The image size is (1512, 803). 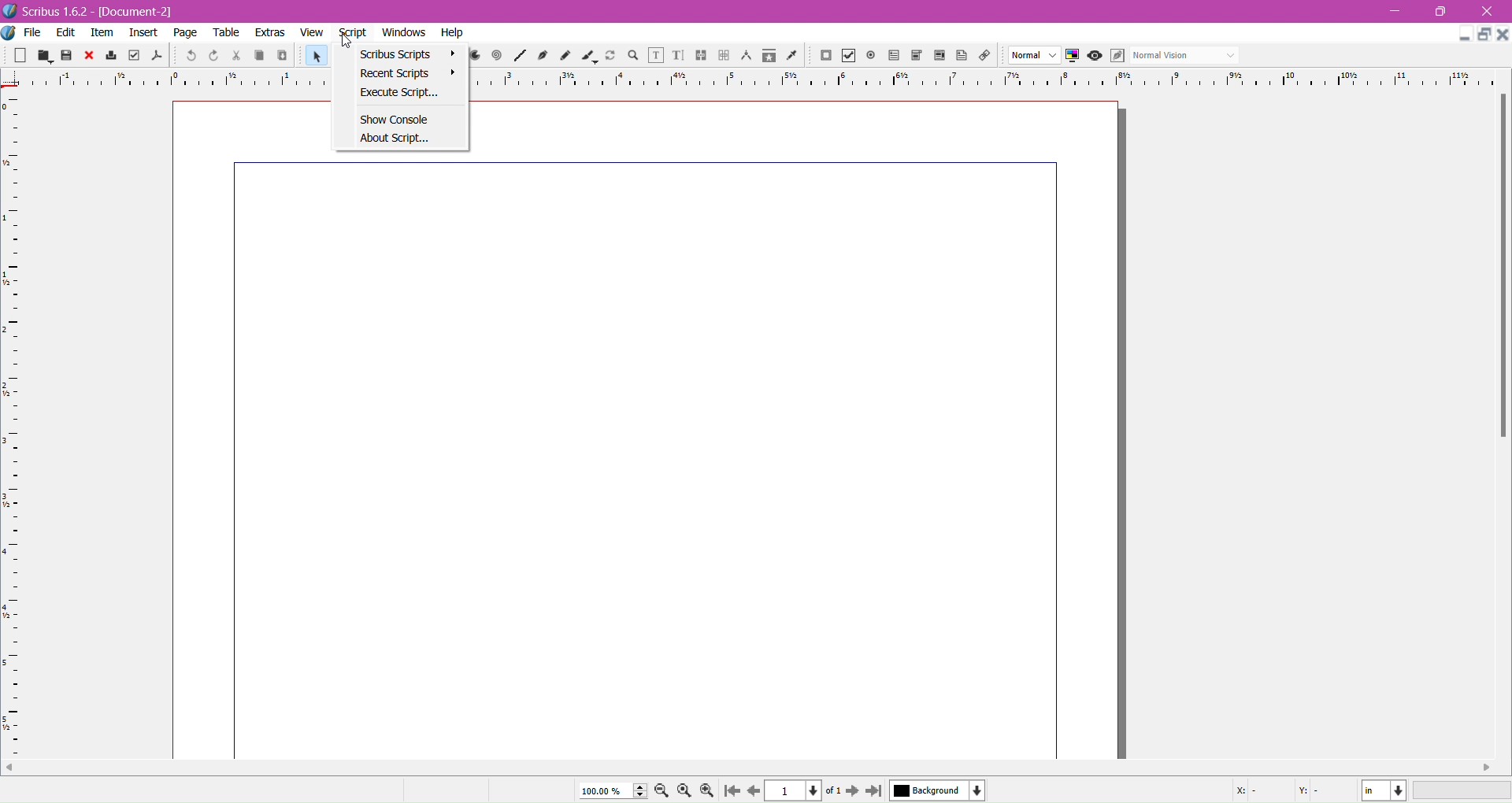 What do you see at coordinates (893, 56) in the screenshot?
I see `PDF Text Field` at bounding box center [893, 56].